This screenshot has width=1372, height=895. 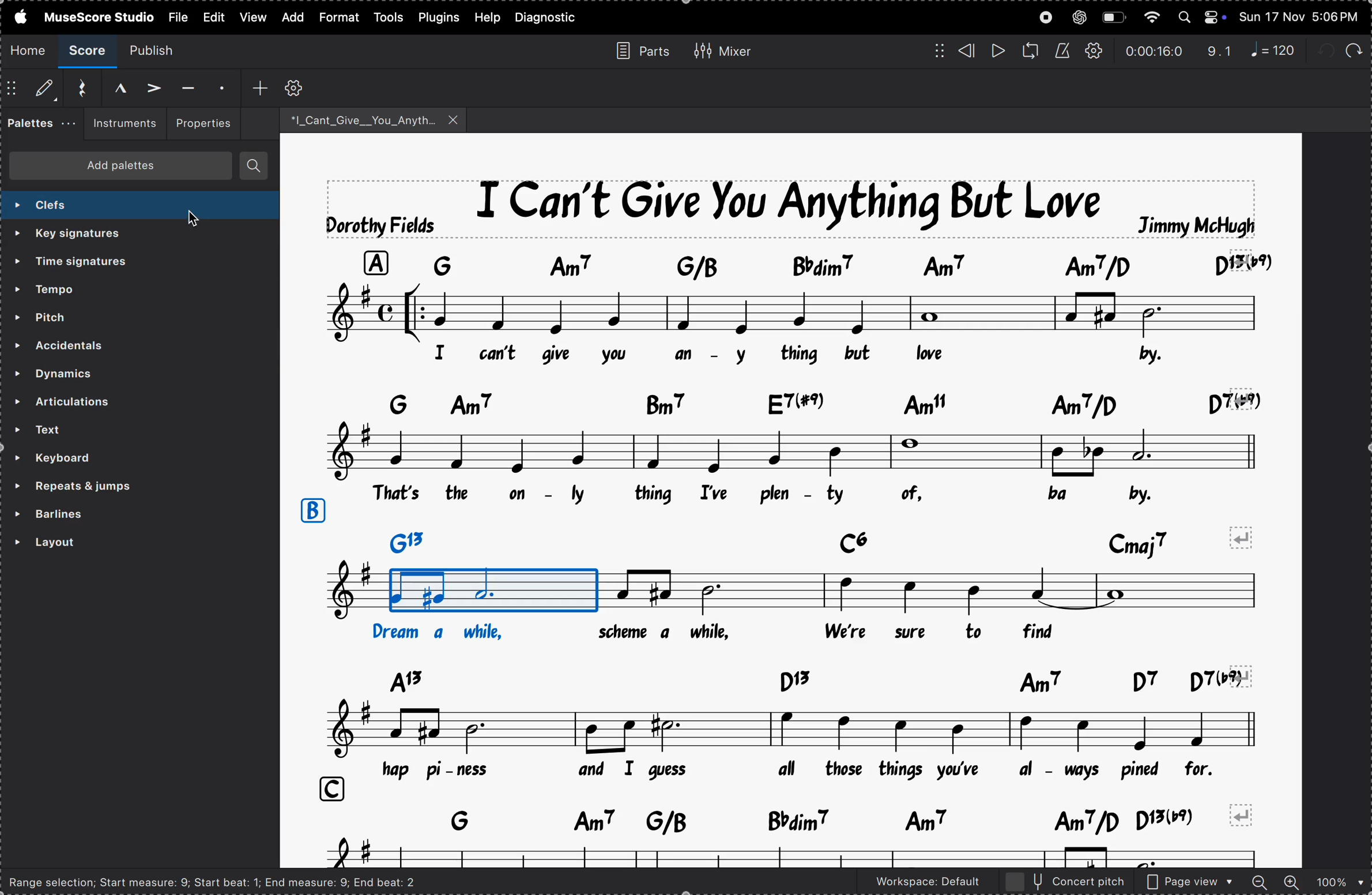 I want to click on zoom in and out, so click(x=1307, y=883).